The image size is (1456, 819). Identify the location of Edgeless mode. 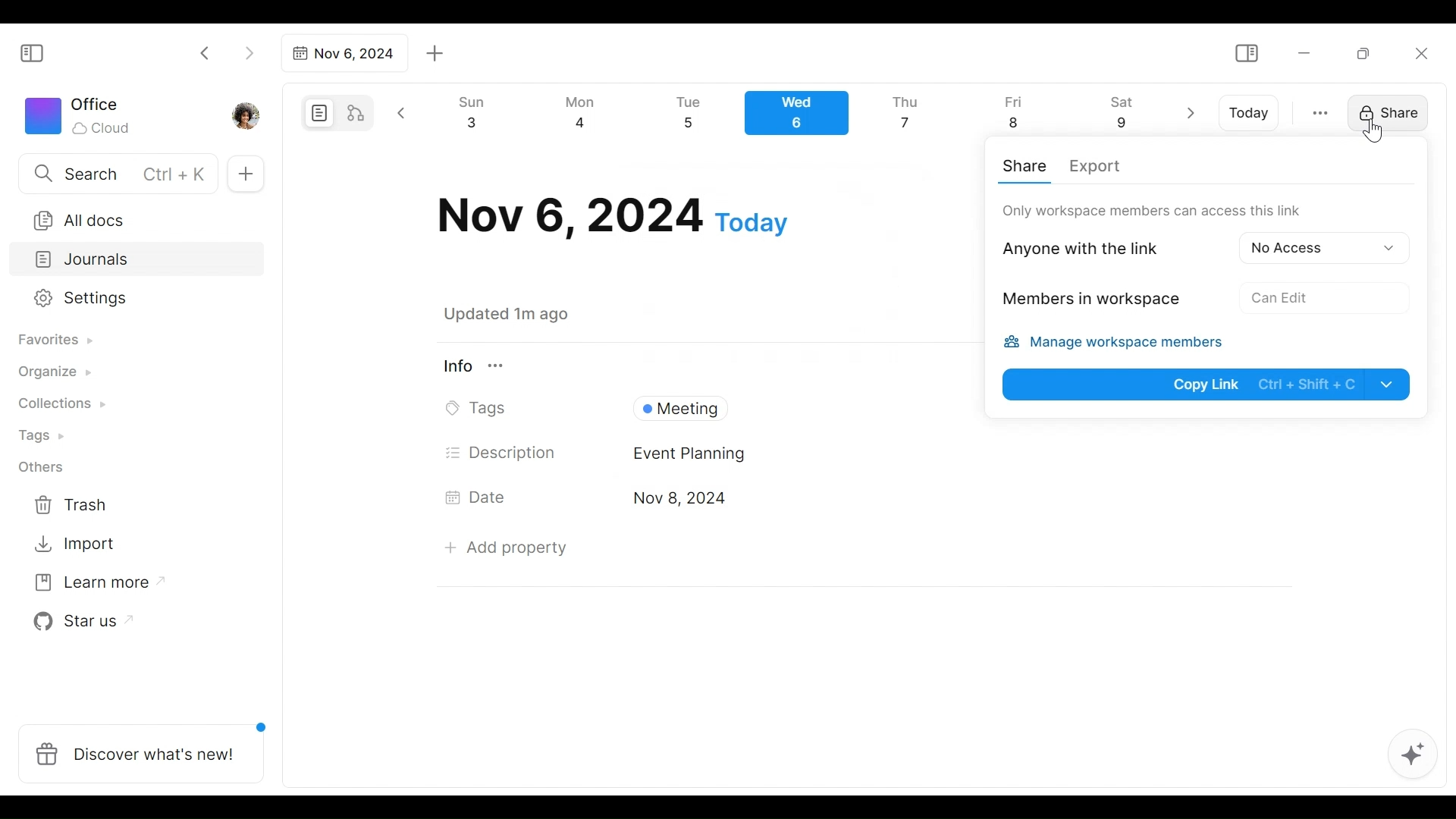
(357, 112).